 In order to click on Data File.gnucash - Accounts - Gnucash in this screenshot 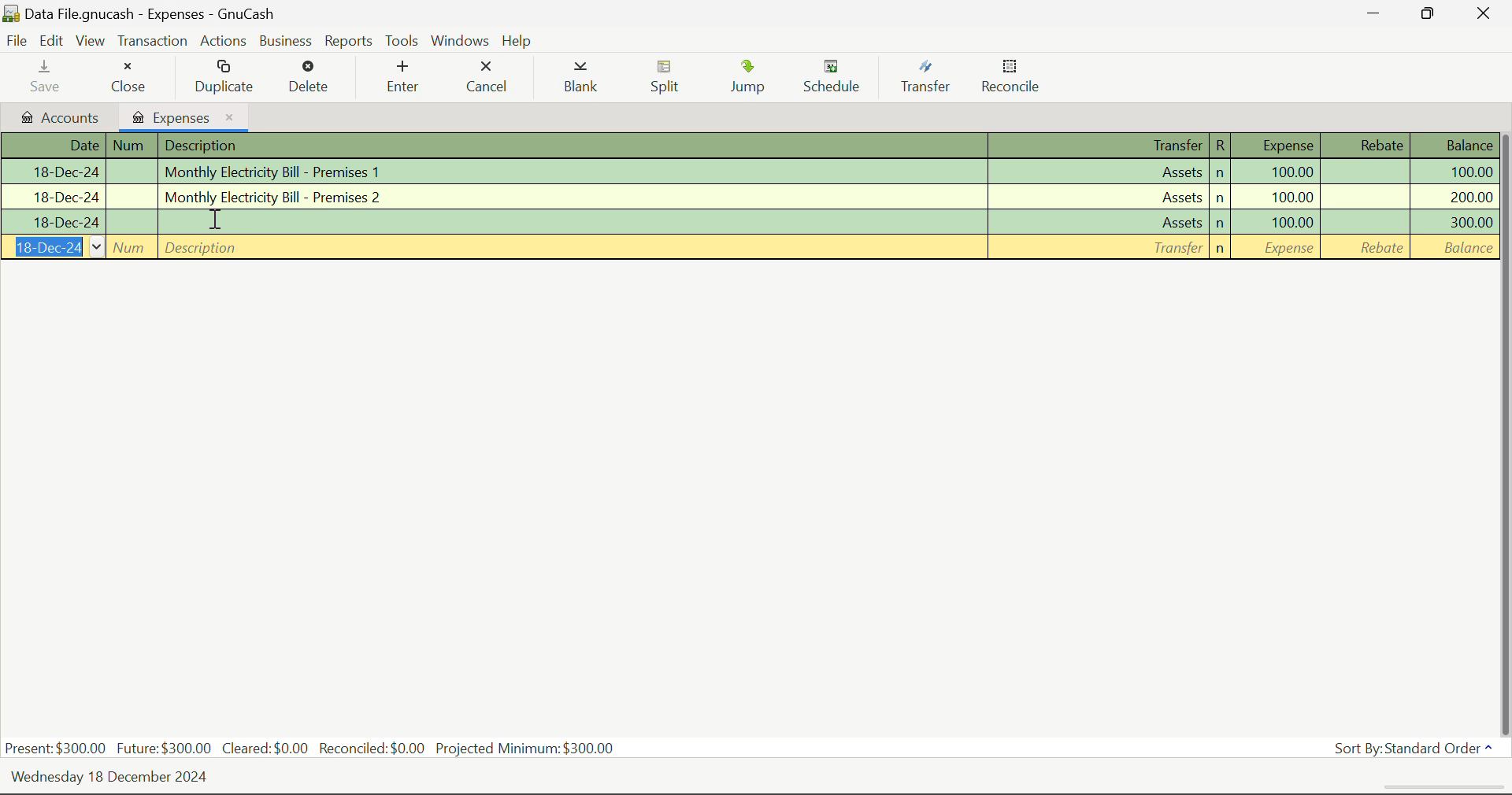, I will do `click(156, 15)`.